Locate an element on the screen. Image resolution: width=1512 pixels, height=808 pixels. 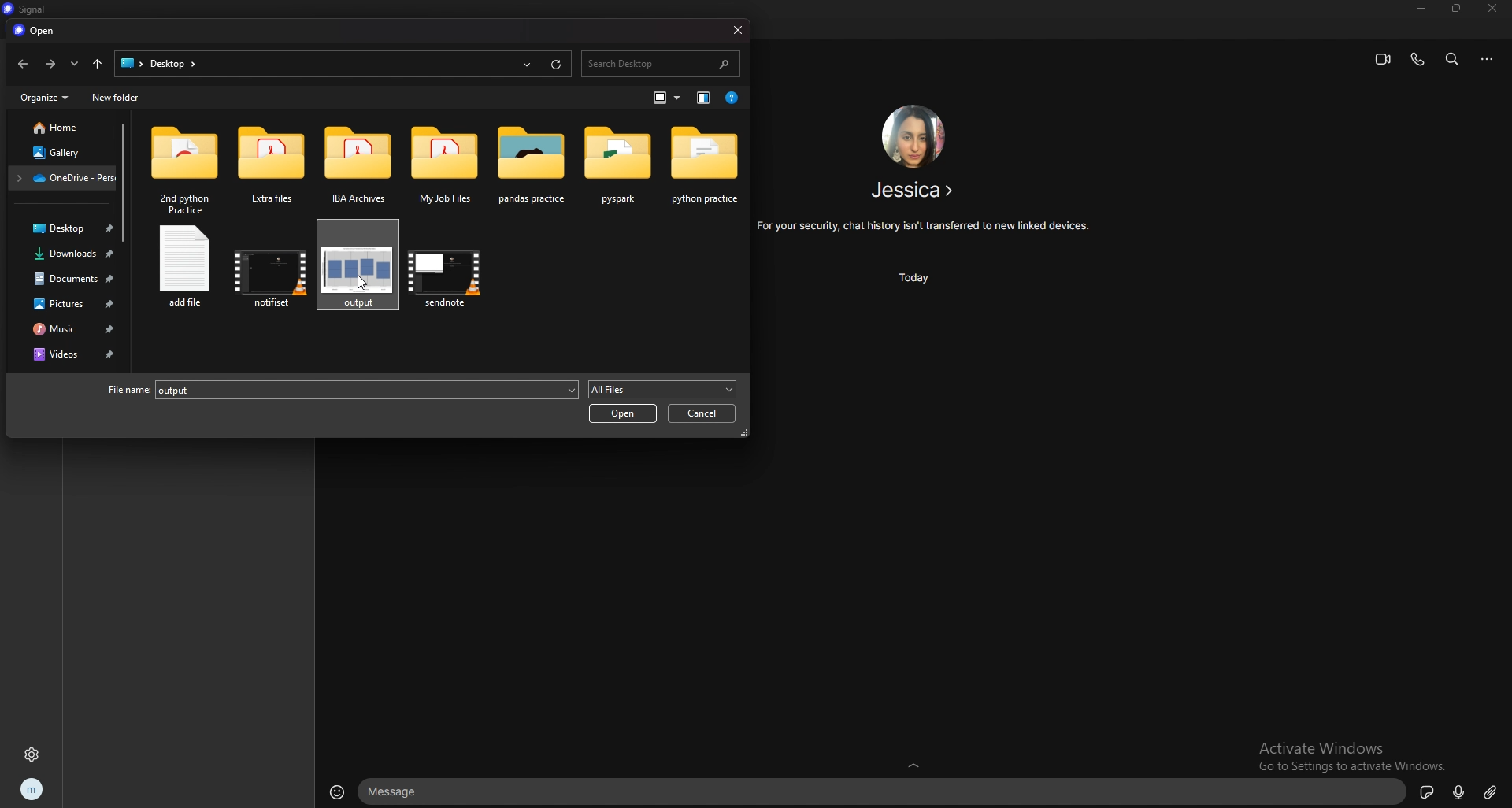
documents is located at coordinates (64, 278).